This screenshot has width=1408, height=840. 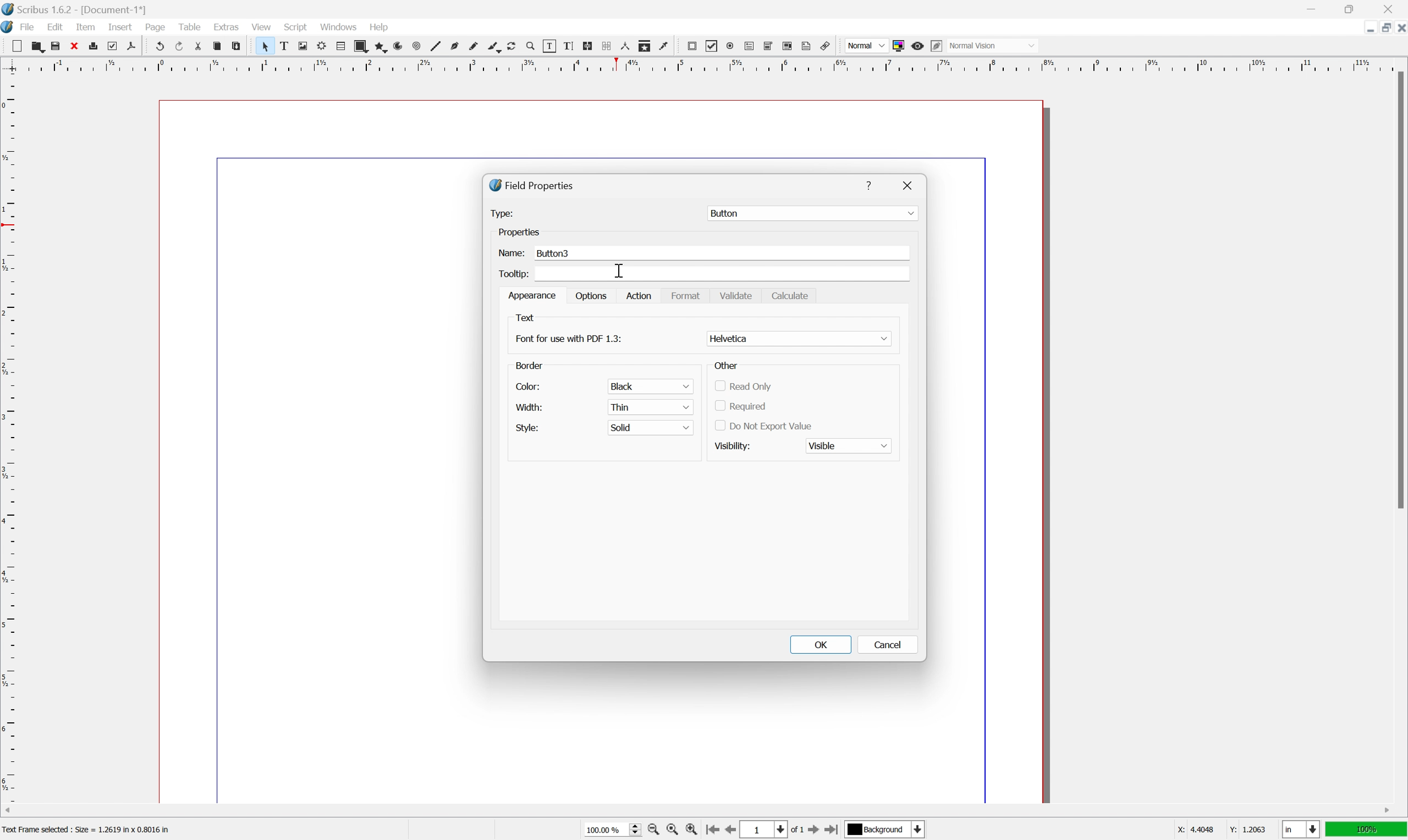 What do you see at coordinates (590, 296) in the screenshot?
I see `options` at bounding box center [590, 296].